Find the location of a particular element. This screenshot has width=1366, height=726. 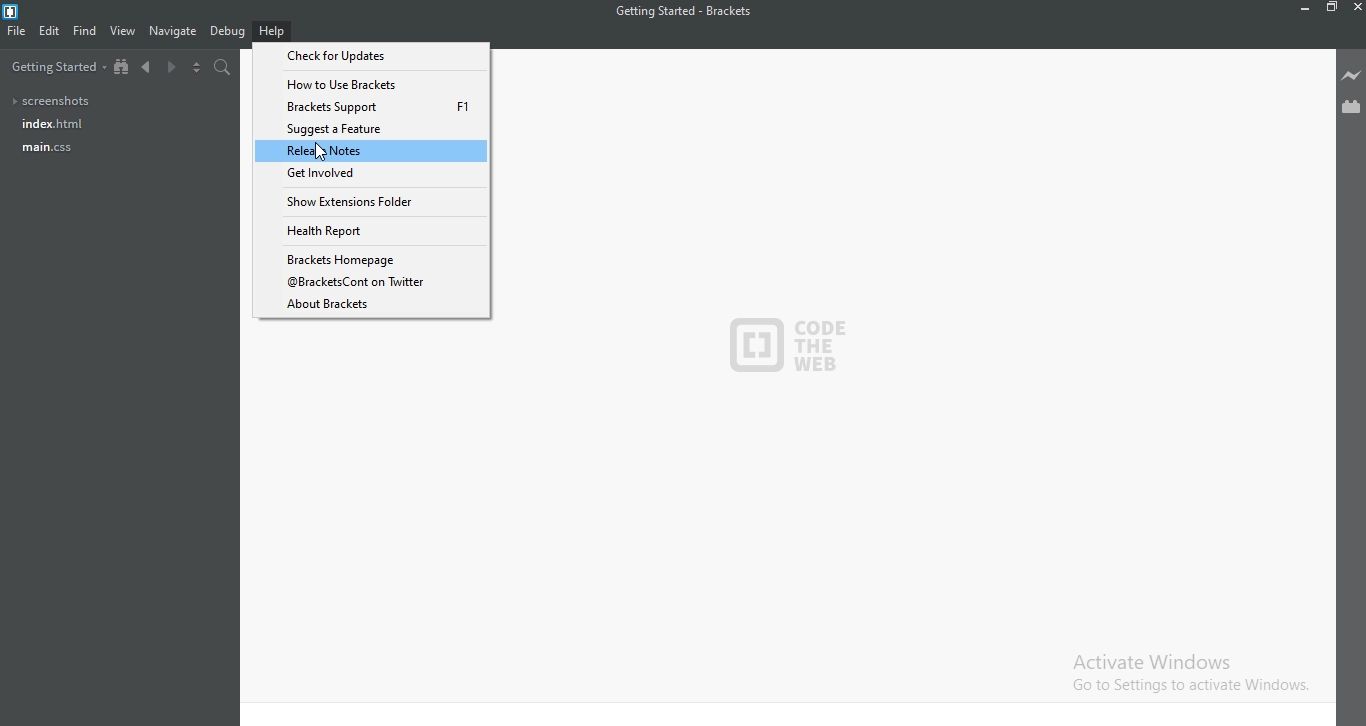

Edit is located at coordinates (50, 30).